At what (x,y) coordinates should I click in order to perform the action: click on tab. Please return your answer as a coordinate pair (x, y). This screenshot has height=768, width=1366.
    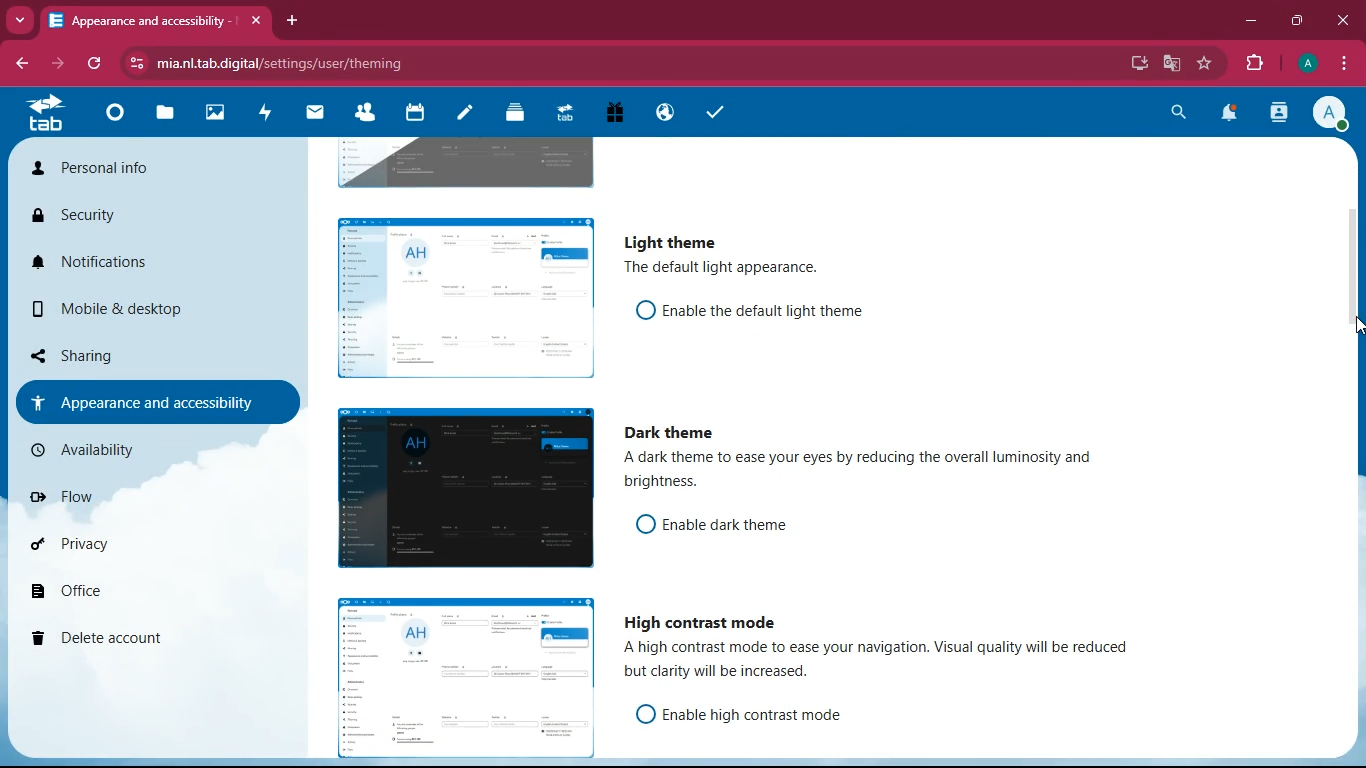
    Looking at the image, I should click on (561, 112).